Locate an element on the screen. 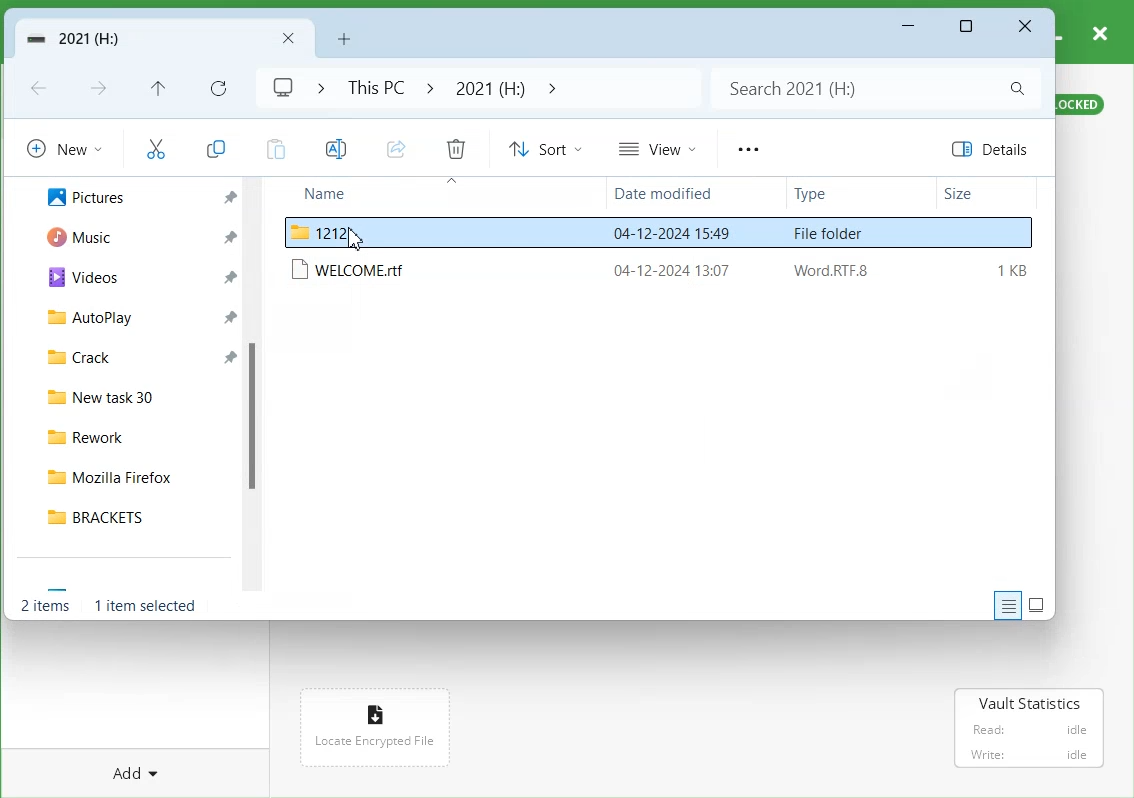  New is located at coordinates (64, 147).